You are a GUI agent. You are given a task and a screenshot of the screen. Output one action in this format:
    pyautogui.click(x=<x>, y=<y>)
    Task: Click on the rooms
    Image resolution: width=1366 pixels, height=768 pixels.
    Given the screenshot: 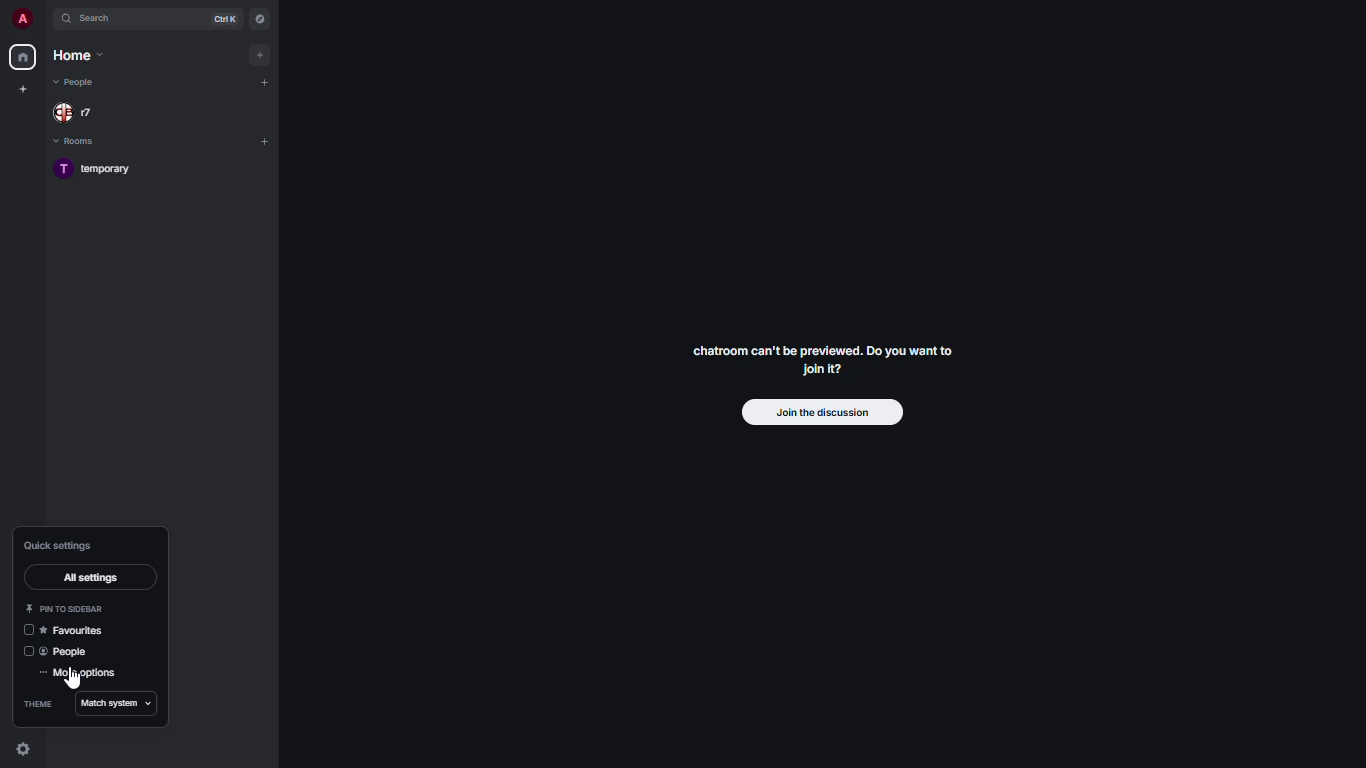 What is the action you would take?
    pyautogui.click(x=81, y=141)
    